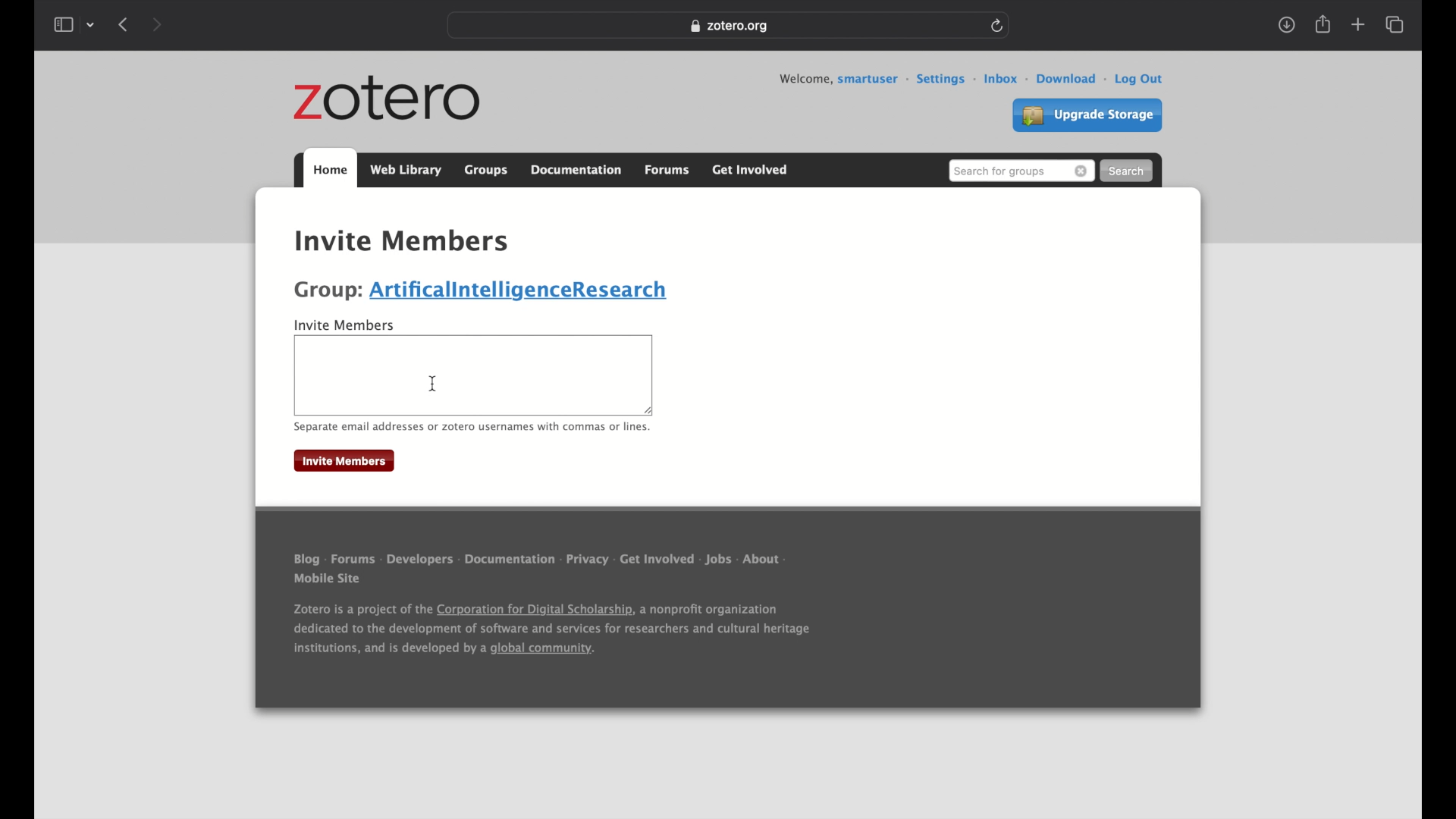 The height and width of the screenshot is (819, 1456). What do you see at coordinates (160, 24) in the screenshot?
I see `next ` at bounding box center [160, 24].